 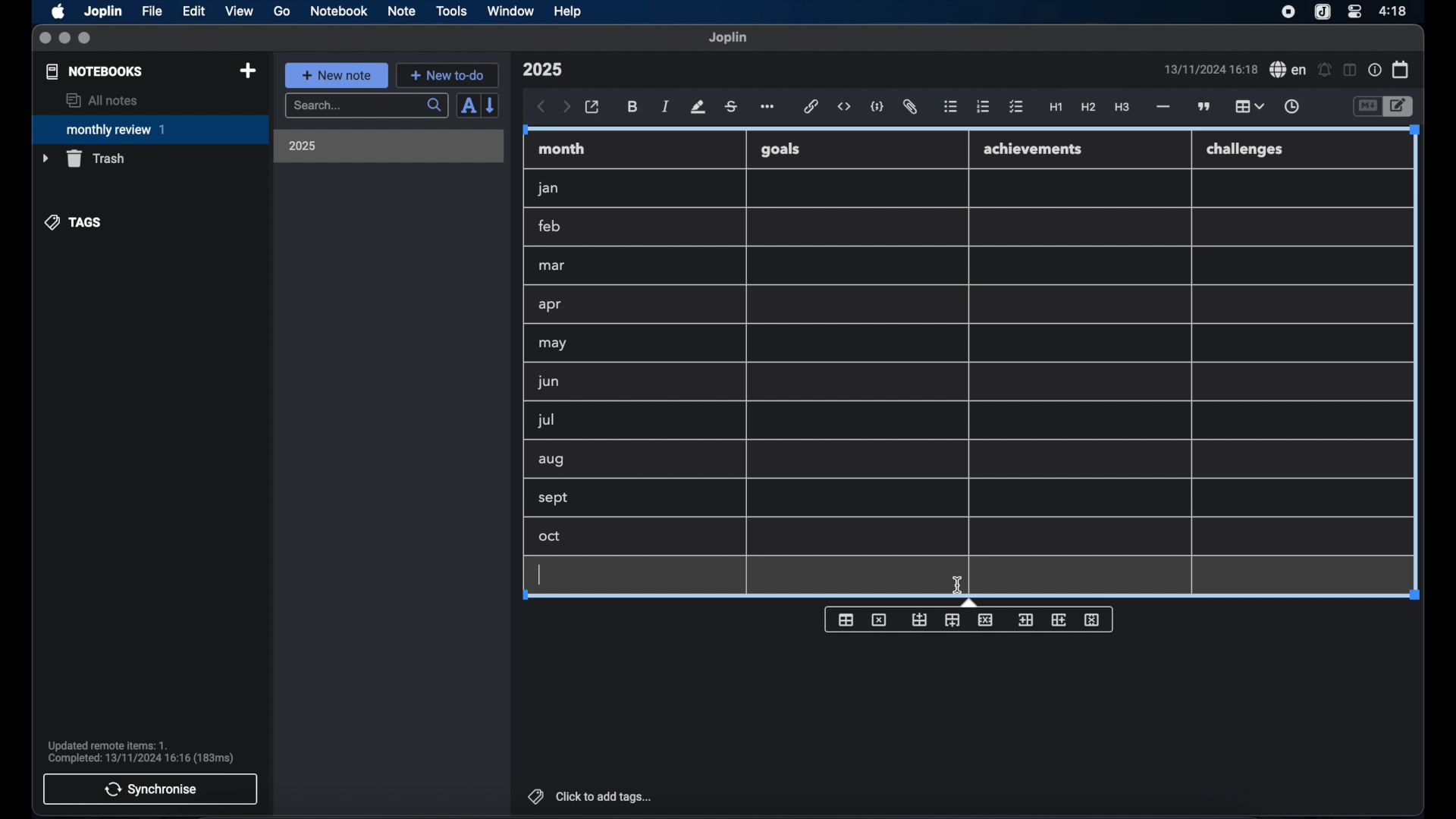 I want to click on maximize, so click(x=86, y=39).